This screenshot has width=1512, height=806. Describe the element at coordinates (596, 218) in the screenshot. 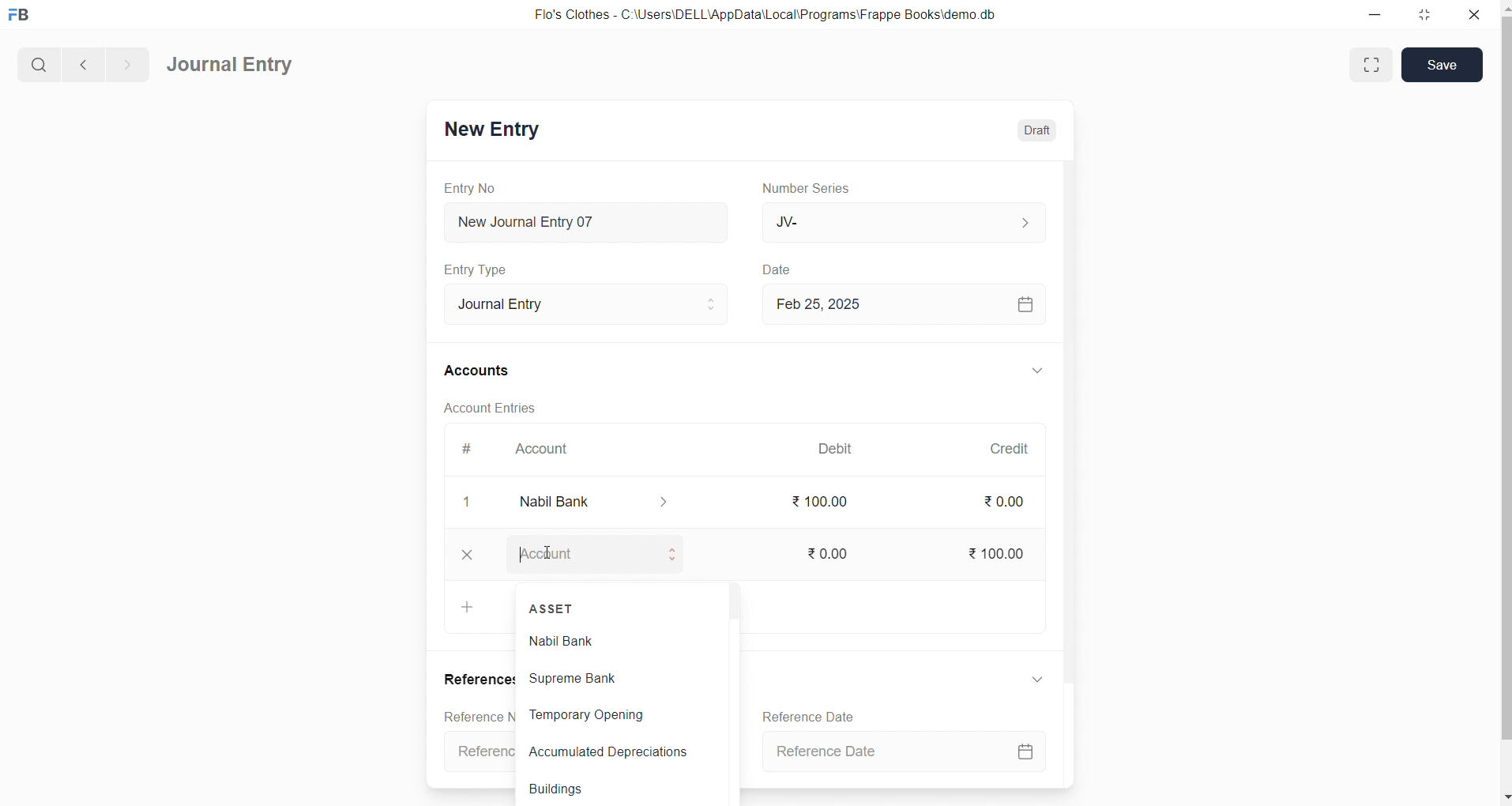

I see `New Journal Entry 07` at that location.